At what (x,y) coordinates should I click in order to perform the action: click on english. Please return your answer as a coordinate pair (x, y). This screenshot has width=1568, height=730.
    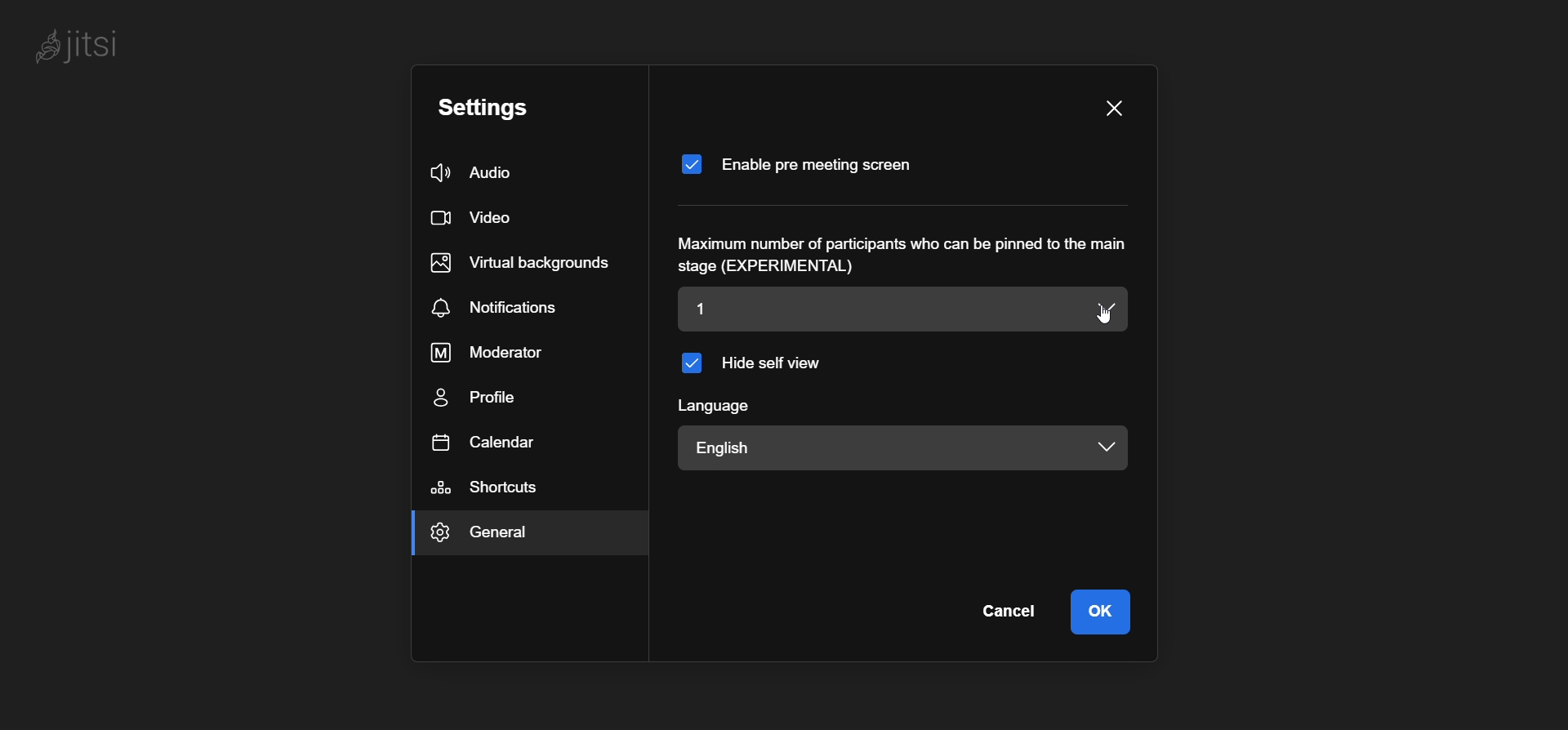
    Looking at the image, I should click on (779, 448).